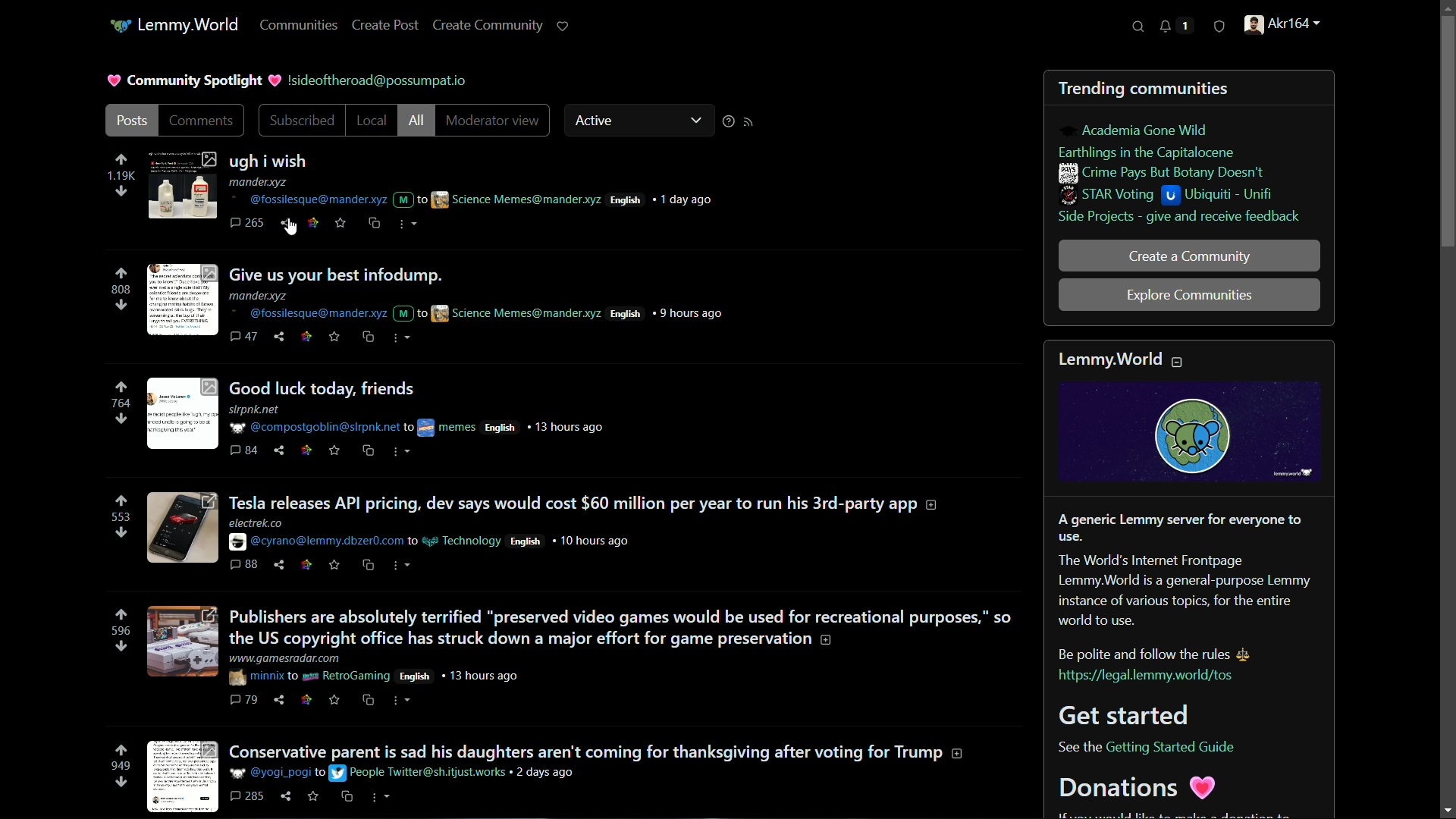 This screenshot has width=1456, height=819. Describe the element at coordinates (1188, 256) in the screenshot. I see `create a community` at that location.